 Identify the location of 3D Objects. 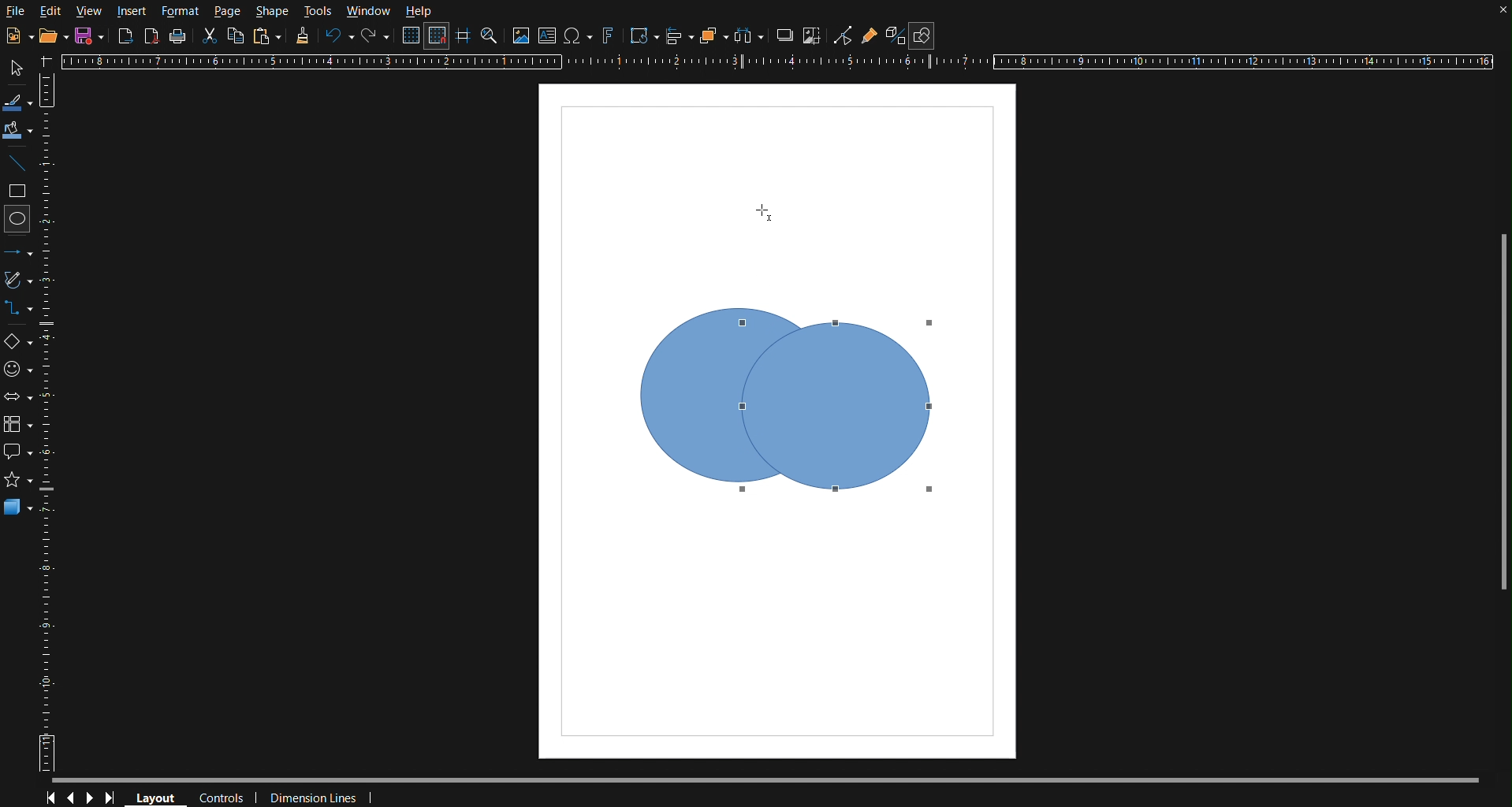
(23, 508).